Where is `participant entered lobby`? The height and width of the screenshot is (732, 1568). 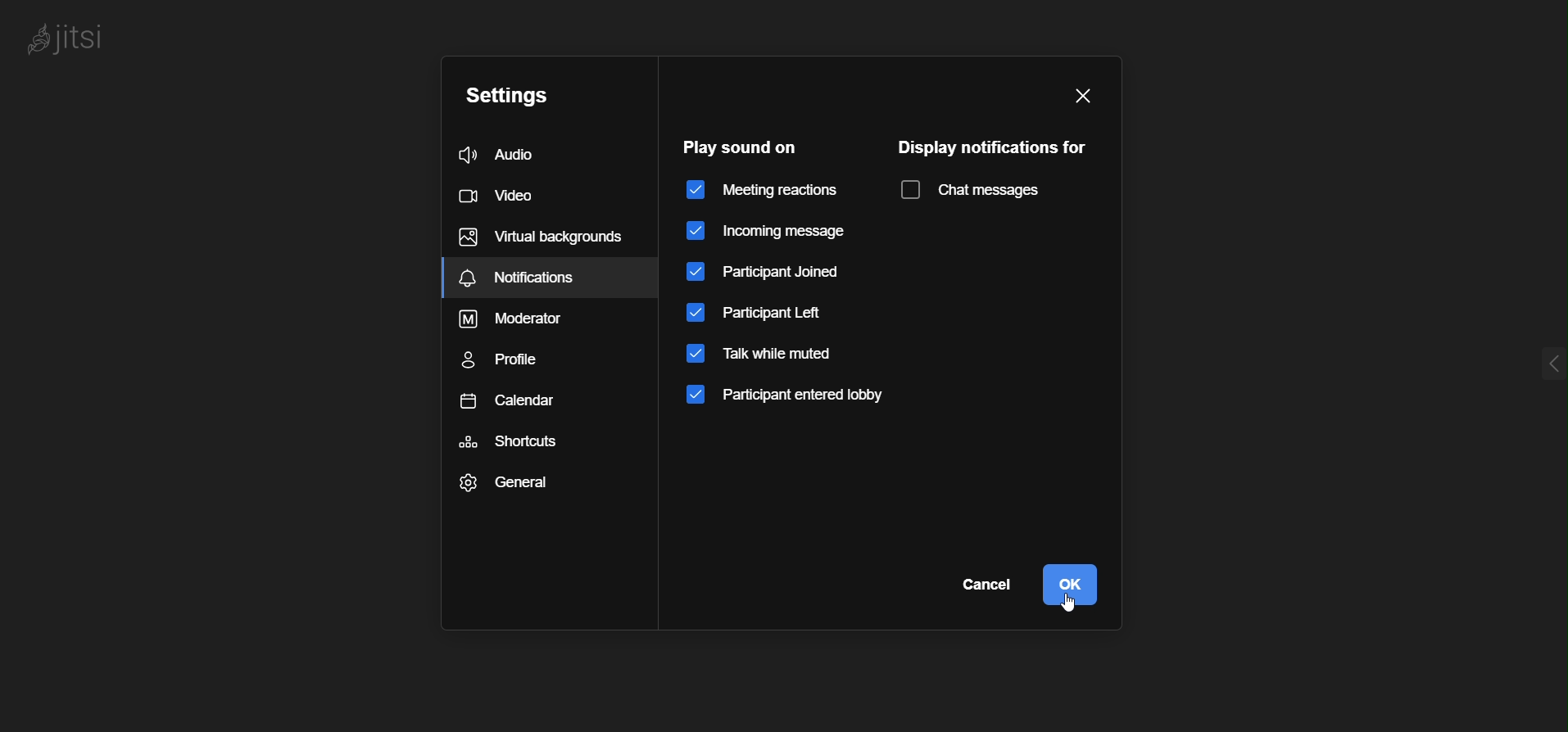
participant entered lobby is located at coordinates (794, 399).